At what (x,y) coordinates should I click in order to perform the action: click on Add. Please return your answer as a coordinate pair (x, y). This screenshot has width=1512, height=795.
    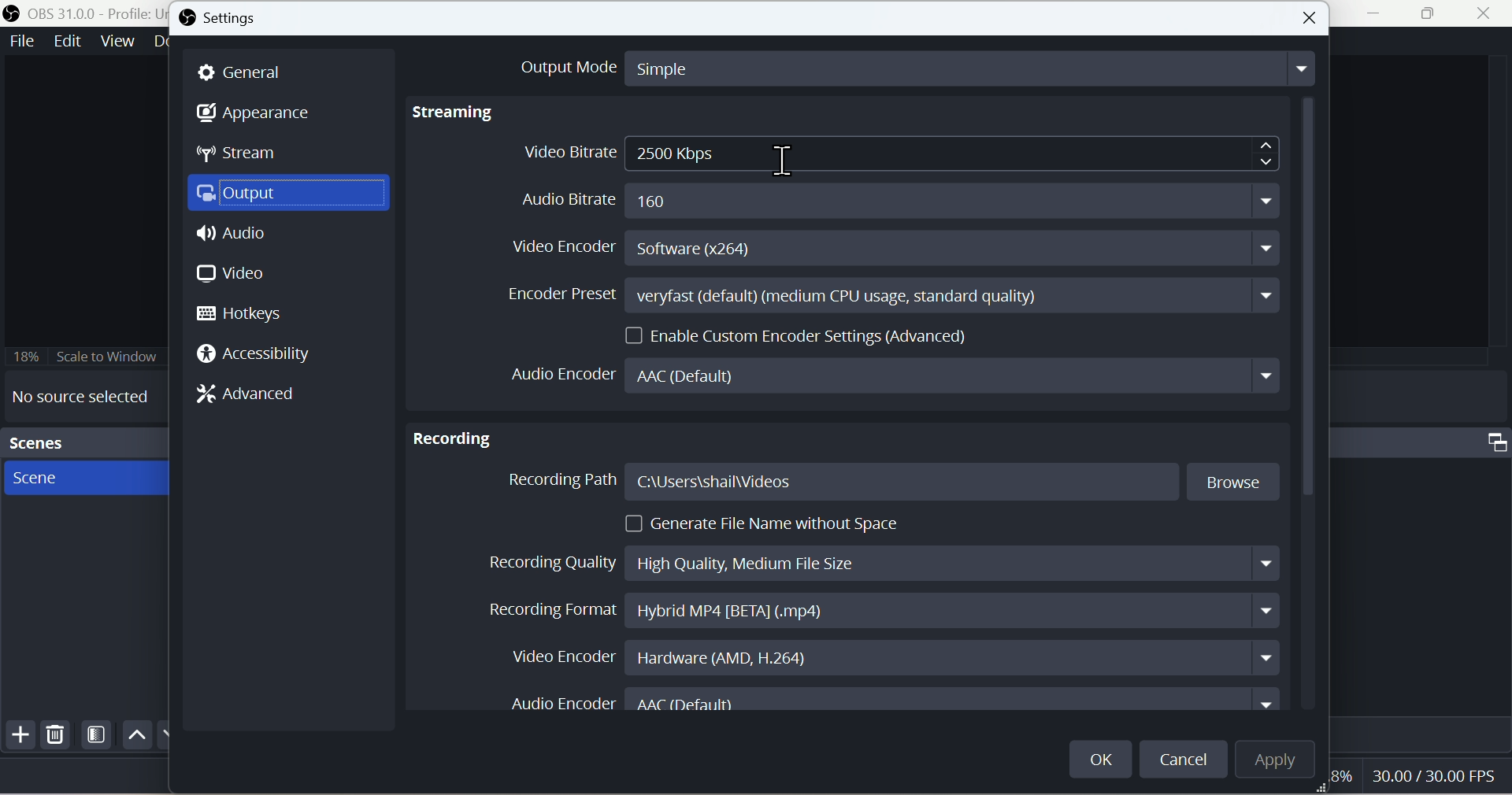
    Looking at the image, I should click on (18, 738).